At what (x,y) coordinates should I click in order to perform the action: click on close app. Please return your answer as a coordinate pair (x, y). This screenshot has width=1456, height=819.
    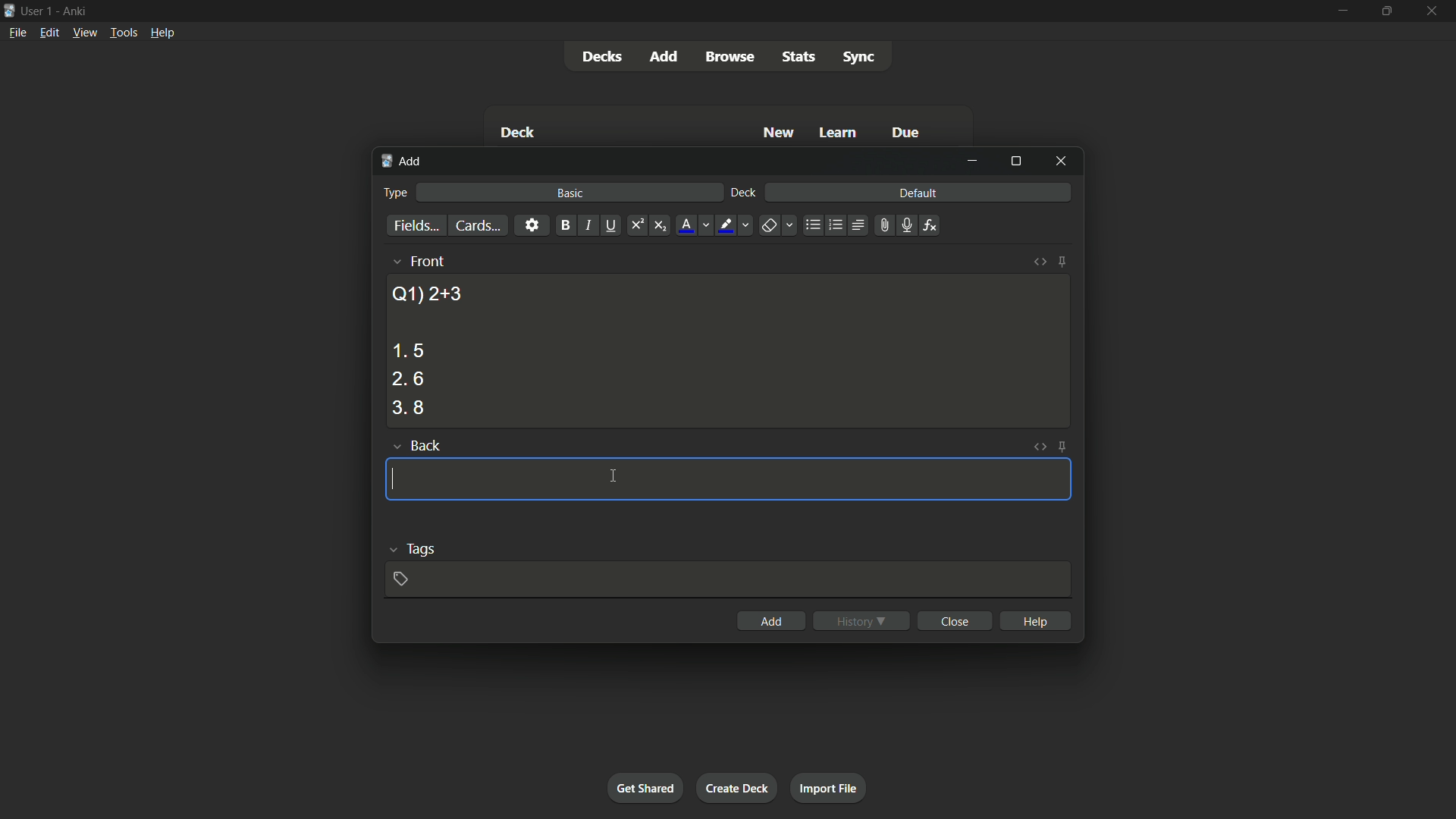
    Looking at the image, I should click on (1433, 11).